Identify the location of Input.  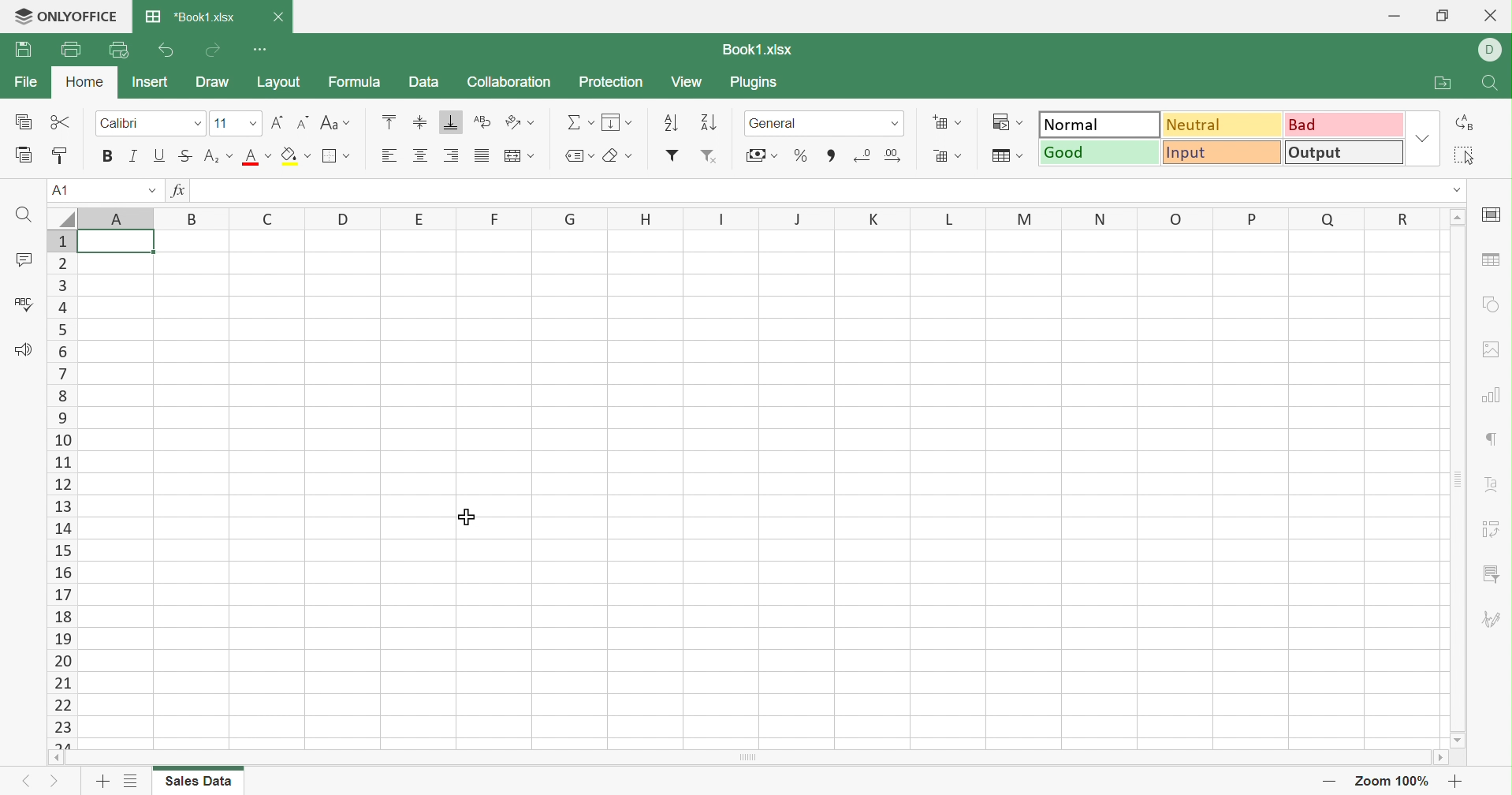
(1224, 153).